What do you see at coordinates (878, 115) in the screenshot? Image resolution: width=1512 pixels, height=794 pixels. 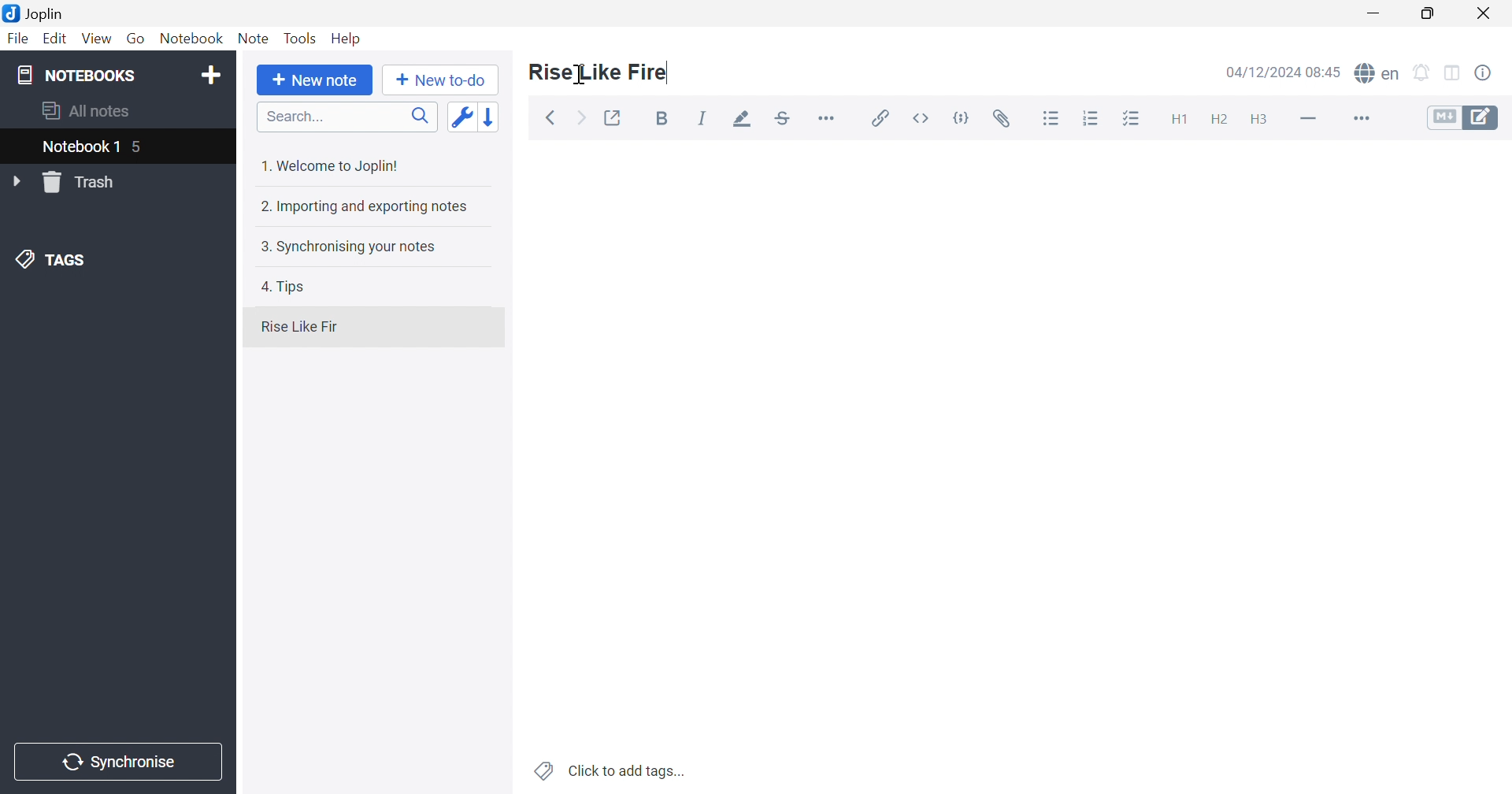 I see `Insert / edit link` at bounding box center [878, 115].